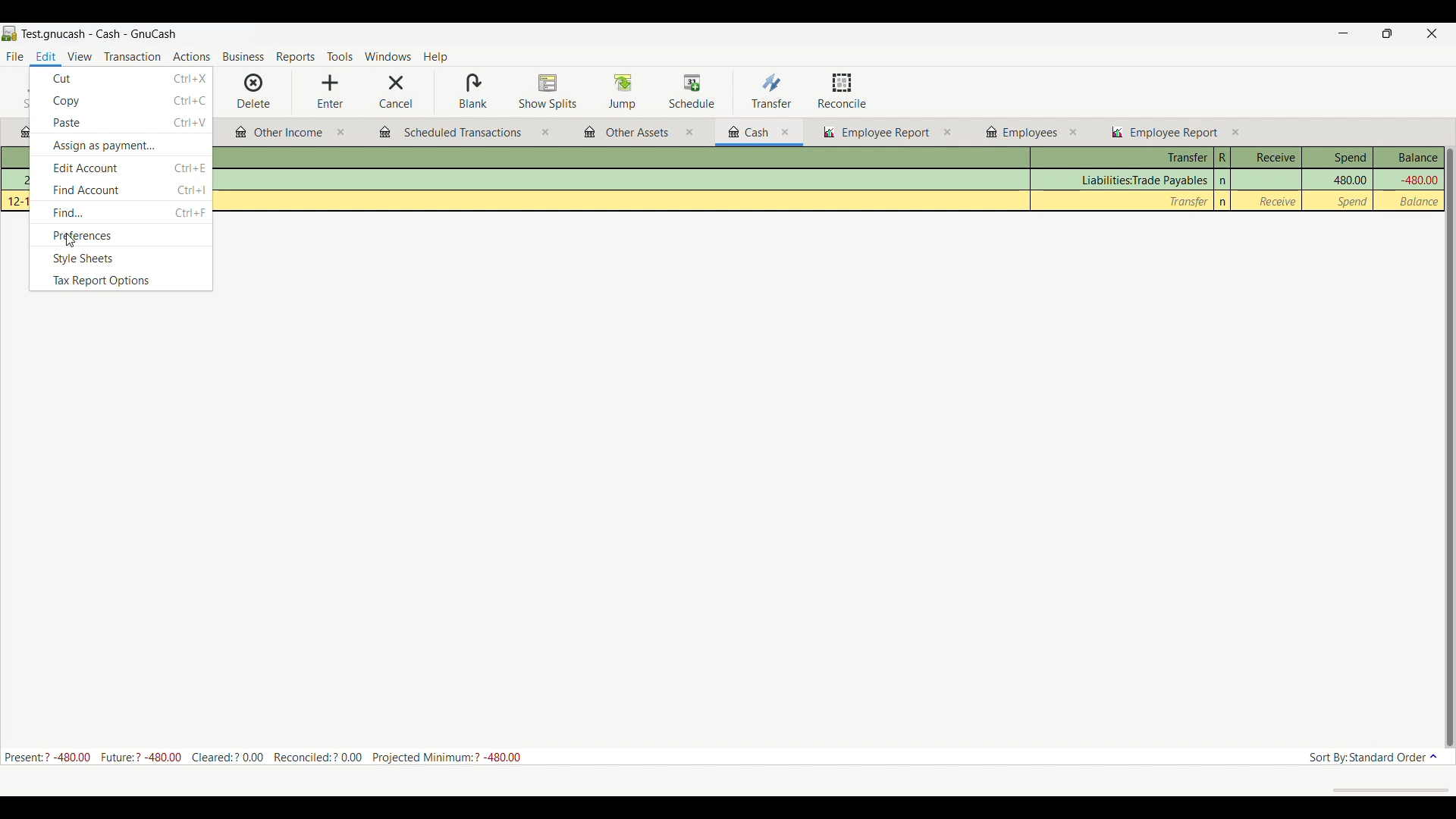 The image size is (1456, 819). I want to click on File, so click(13, 55).